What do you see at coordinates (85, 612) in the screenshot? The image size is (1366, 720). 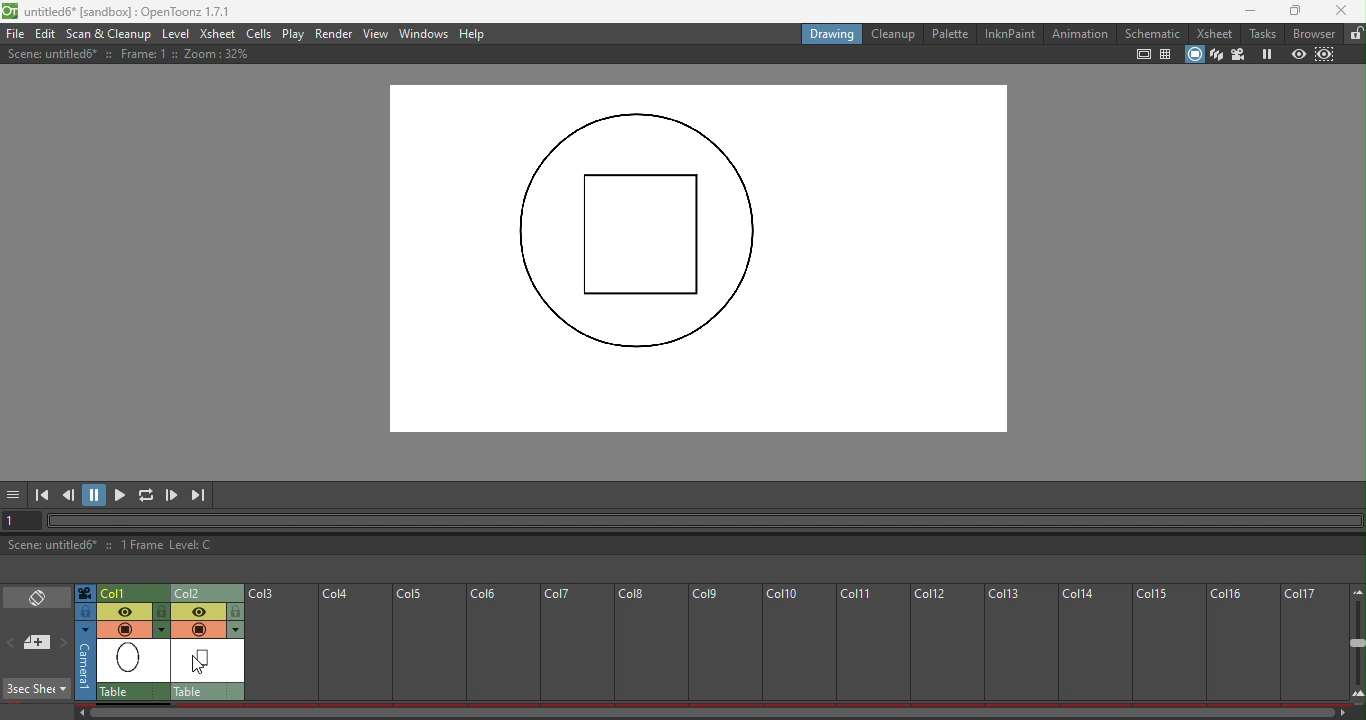 I see `Click to select camera` at bounding box center [85, 612].